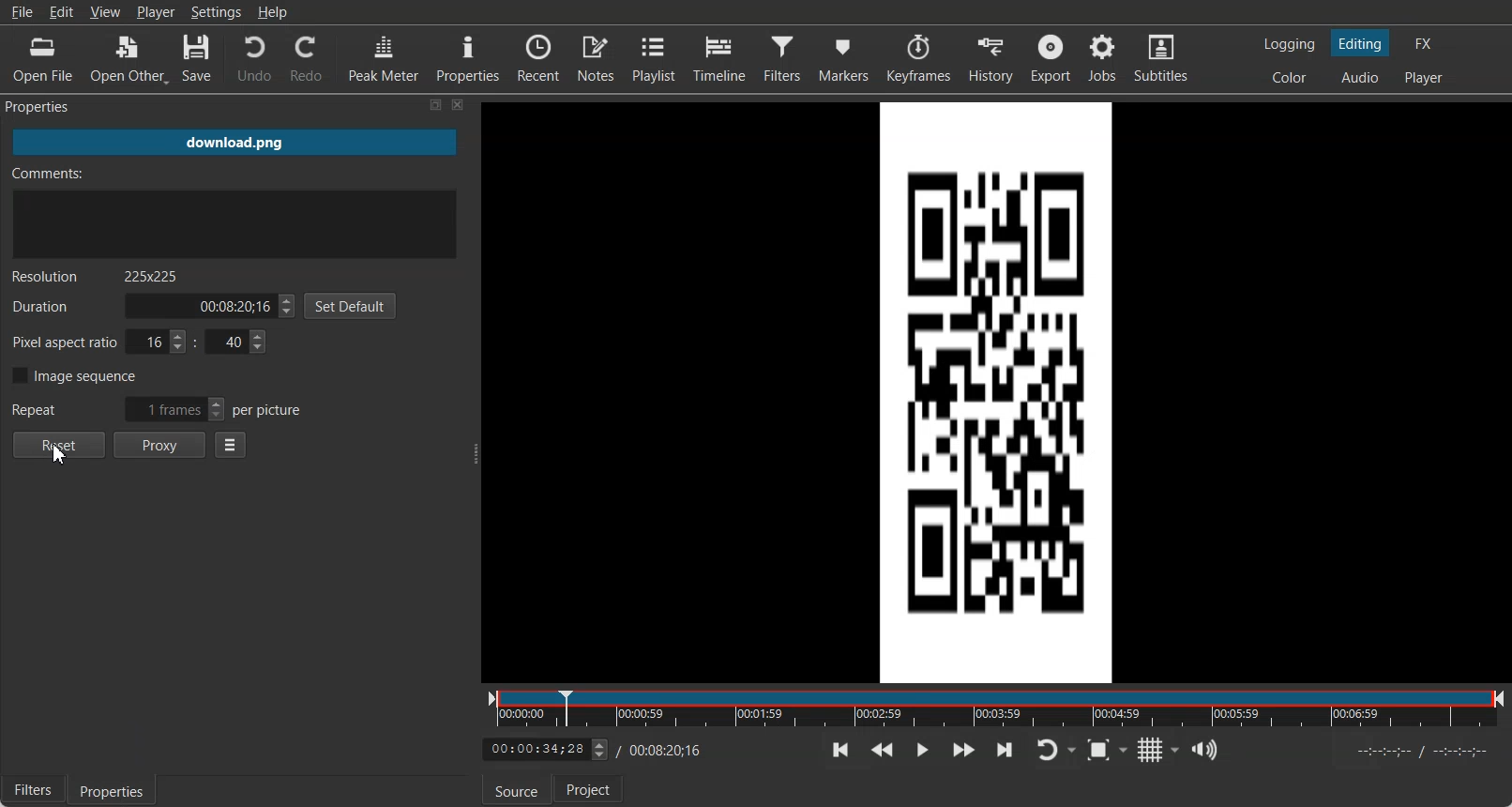 The width and height of the screenshot is (1512, 807). I want to click on Timeline, so click(719, 58).